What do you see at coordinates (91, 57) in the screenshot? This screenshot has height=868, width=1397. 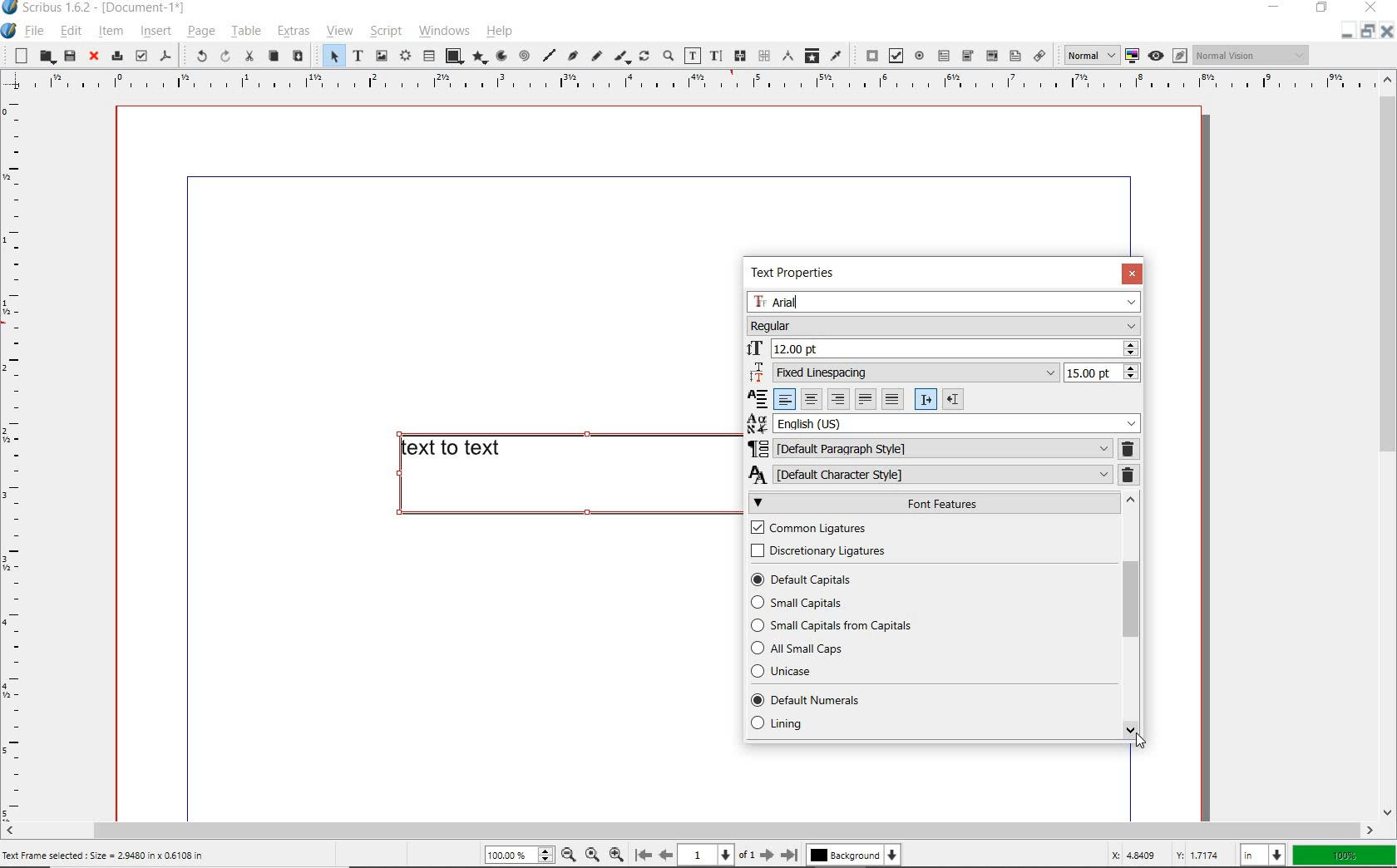 I see `close` at bounding box center [91, 57].